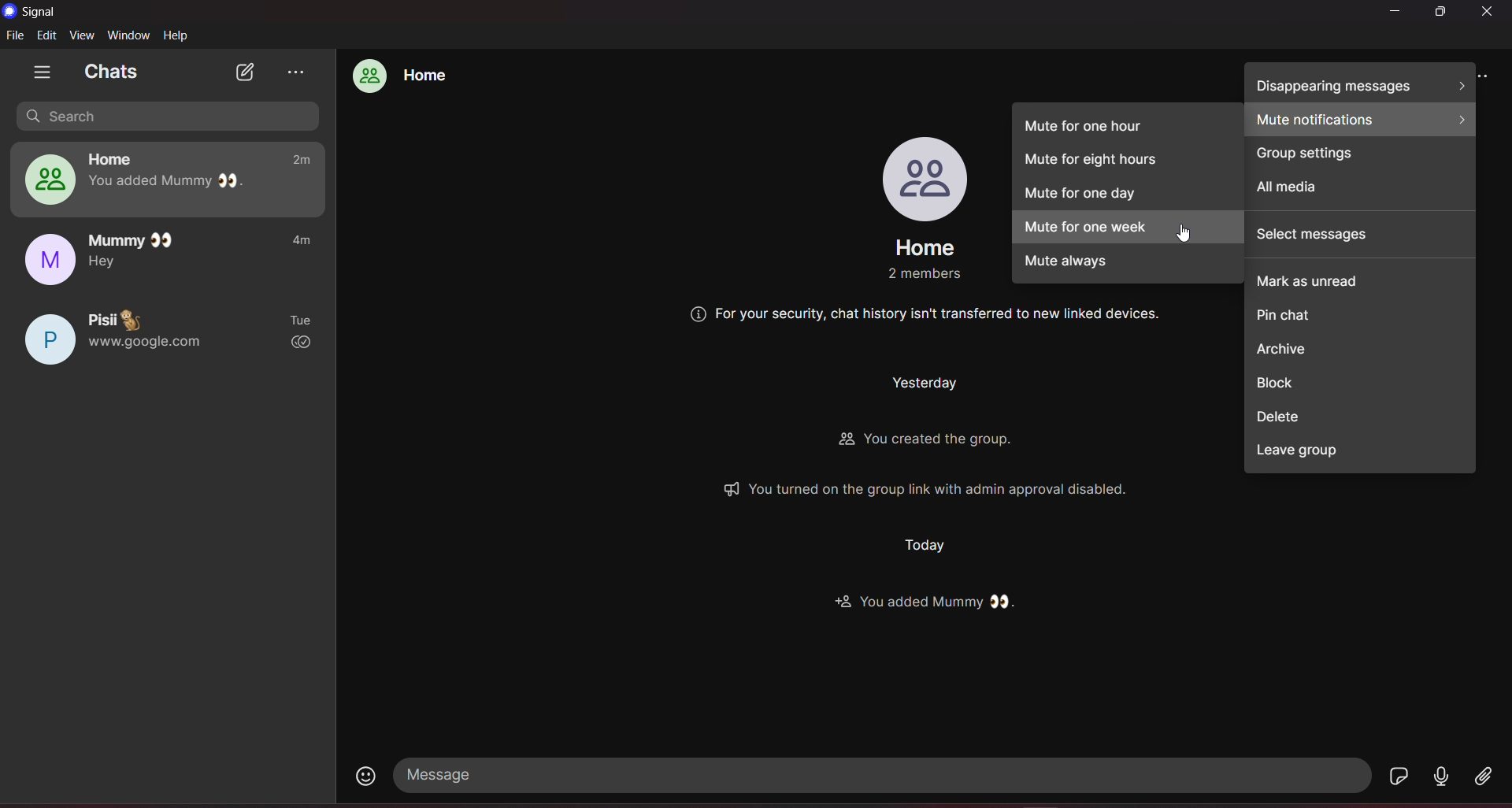 The image size is (1512, 808). Describe the element at coordinates (47, 34) in the screenshot. I see `edit` at that location.